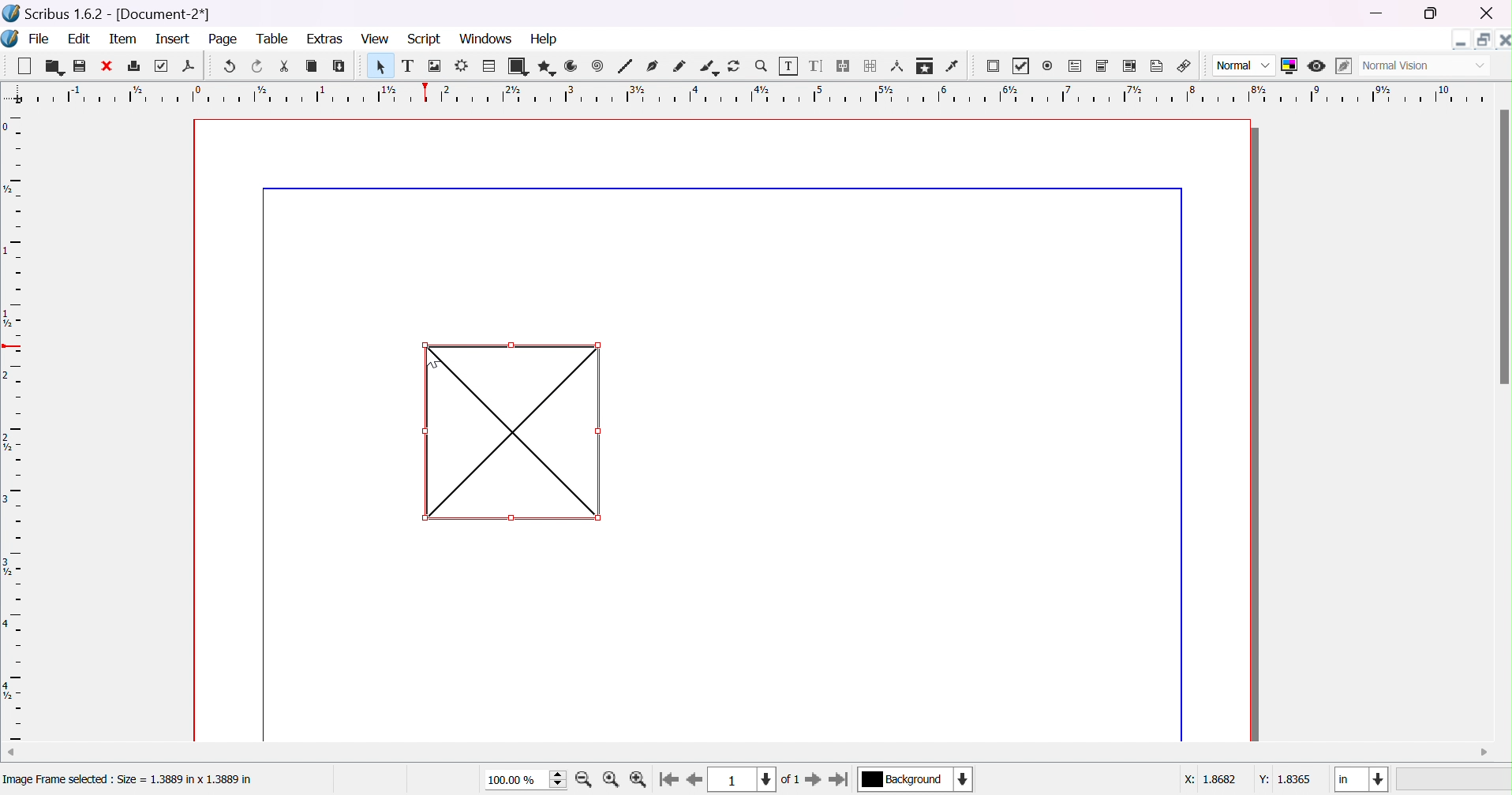 This screenshot has height=795, width=1512. What do you see at coordinates (625, 66) in the screenshot?
I see `line` at bounding box center [625, 66].